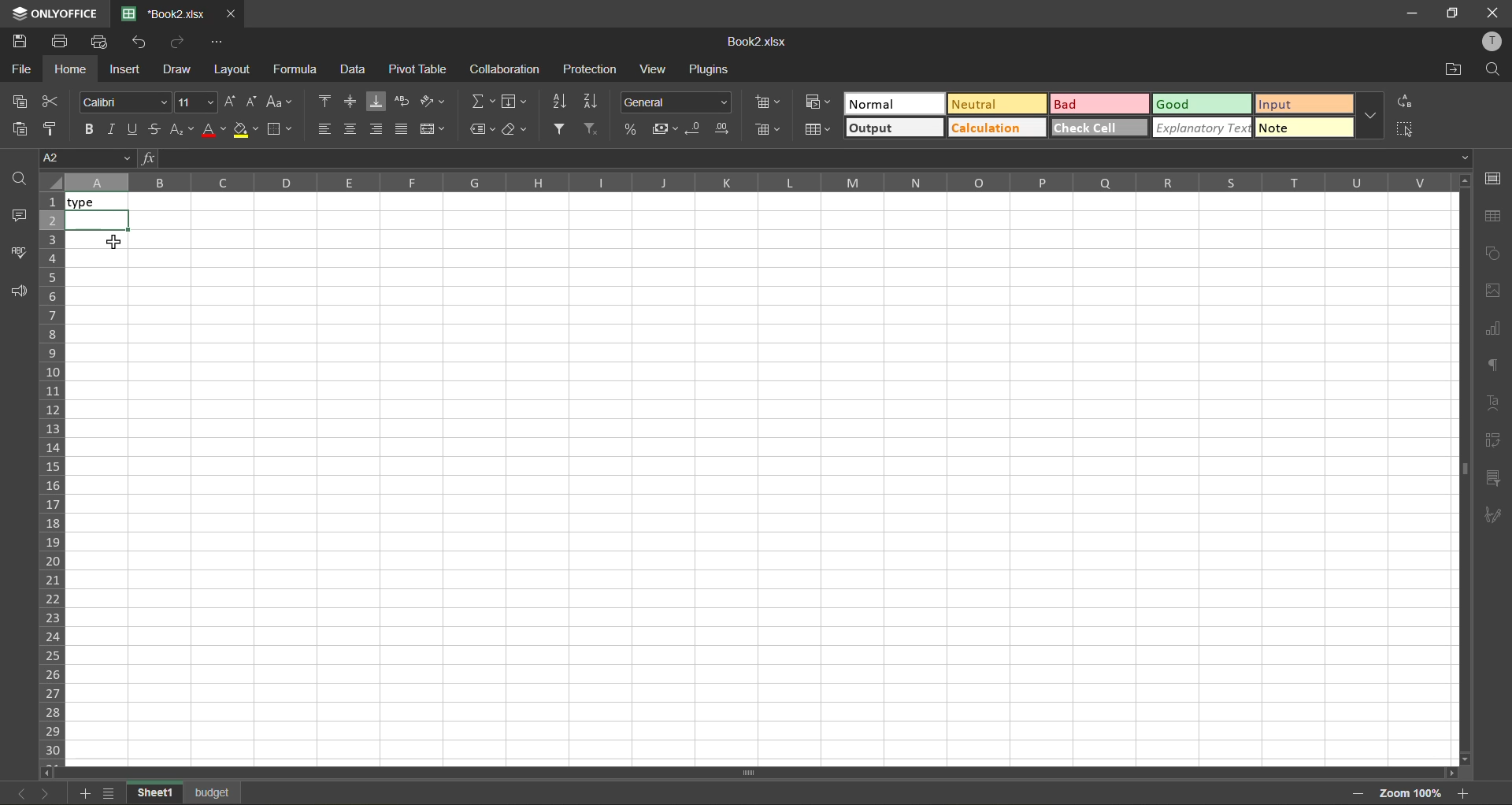  I want to click on insert, so click(128, 69).